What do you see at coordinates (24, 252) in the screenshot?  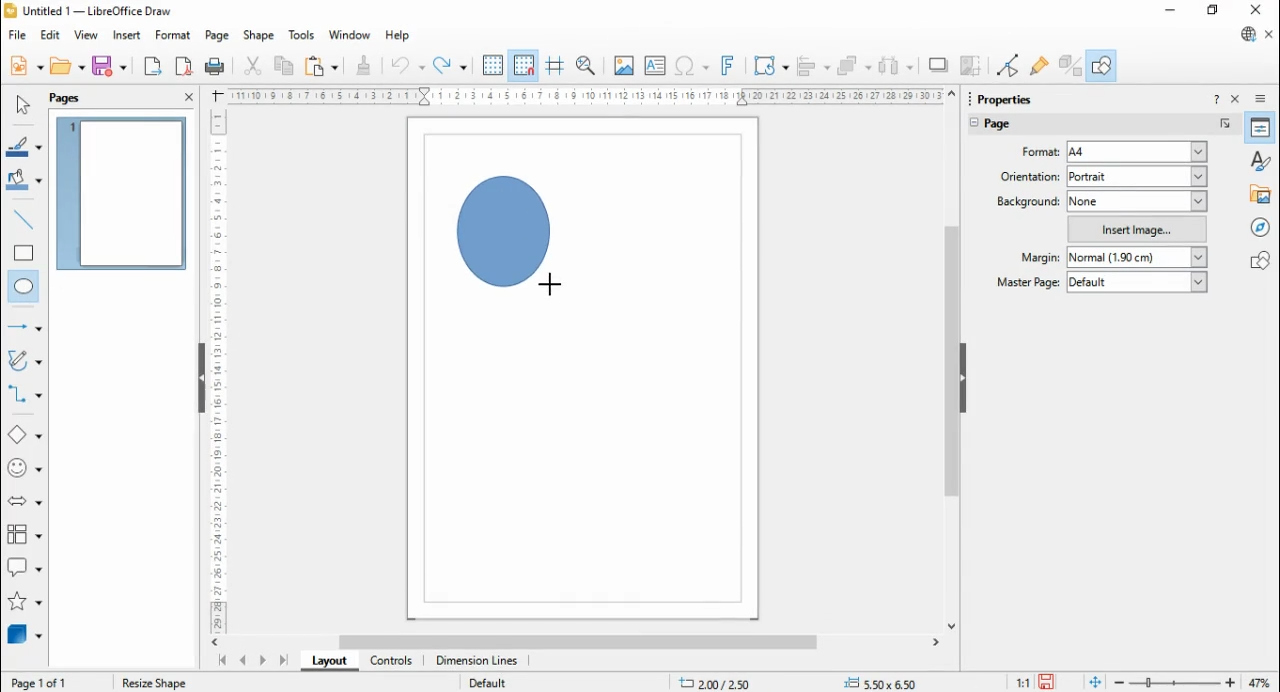 I see `rectangle` at bounding box center [24, 252].